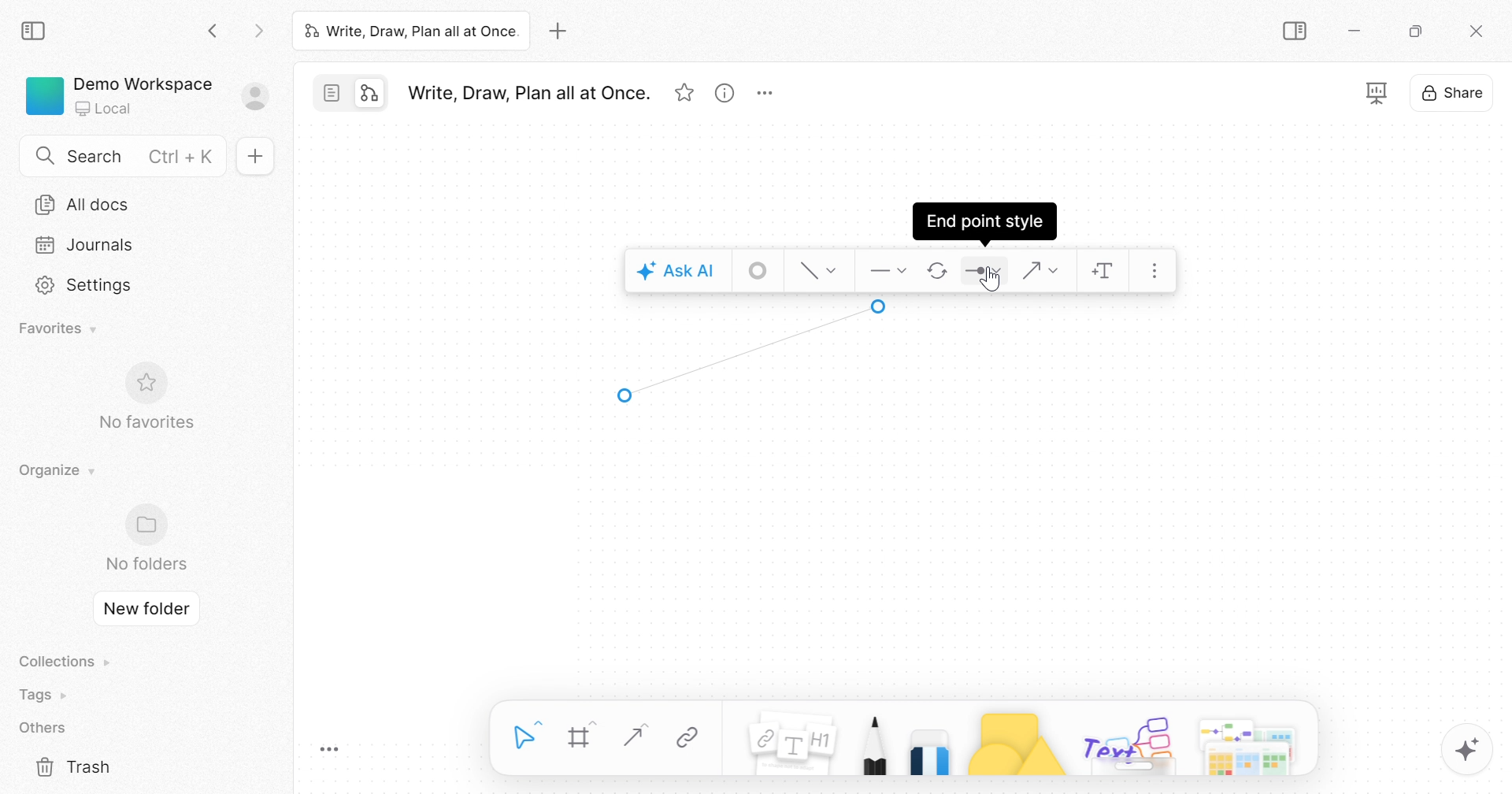 Image resolution: width=1512 pixels, height=794 pixels. What do you see at coordinates (258, 33) in the screenshot?
I see `Forward` at bounding box center [258, 33].